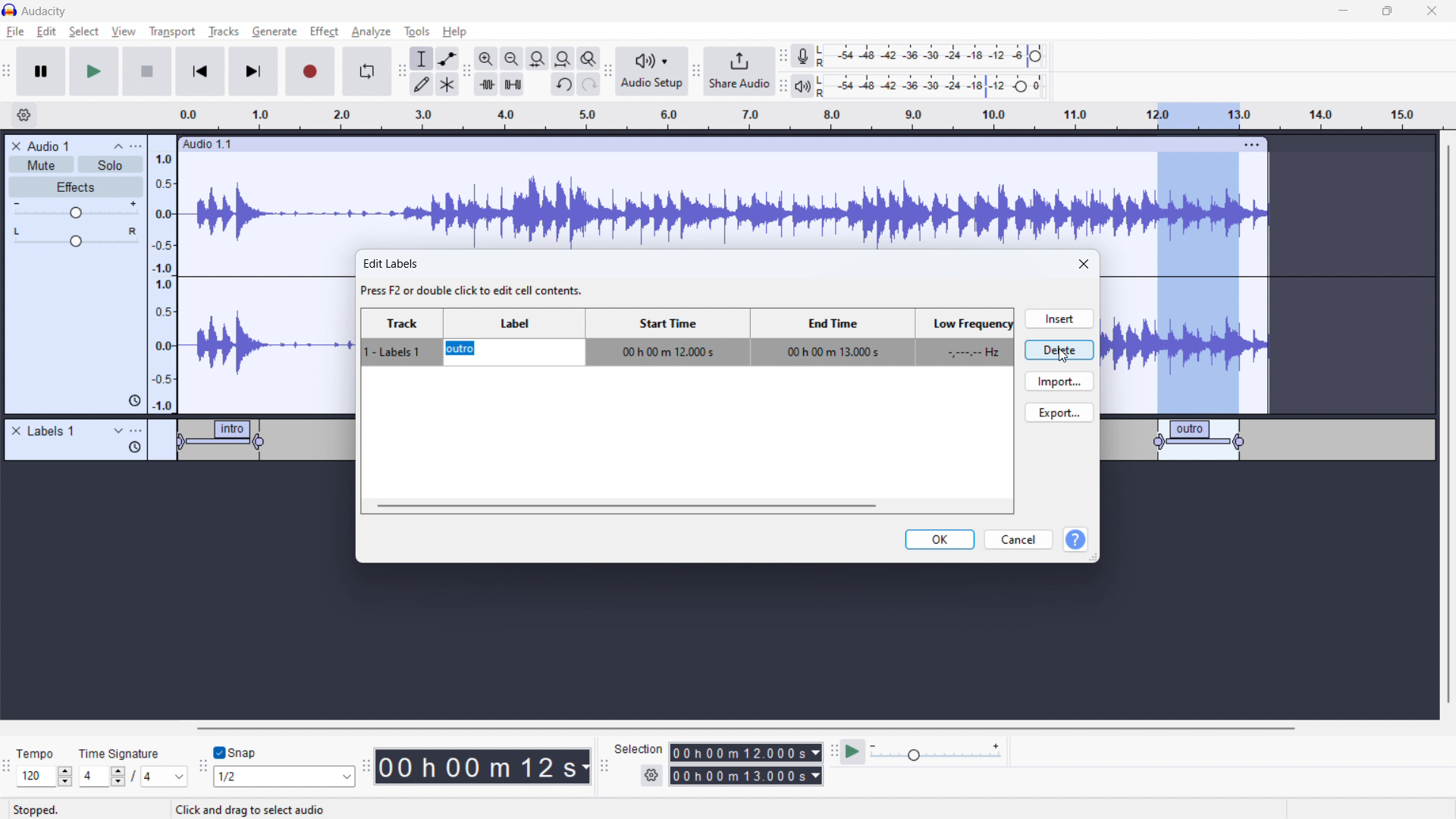 The height and width of the screenshot is (819, 1456). Describe the element at coordinates (466, 72) in the screenshot. I see `edit toolbar` at that location.